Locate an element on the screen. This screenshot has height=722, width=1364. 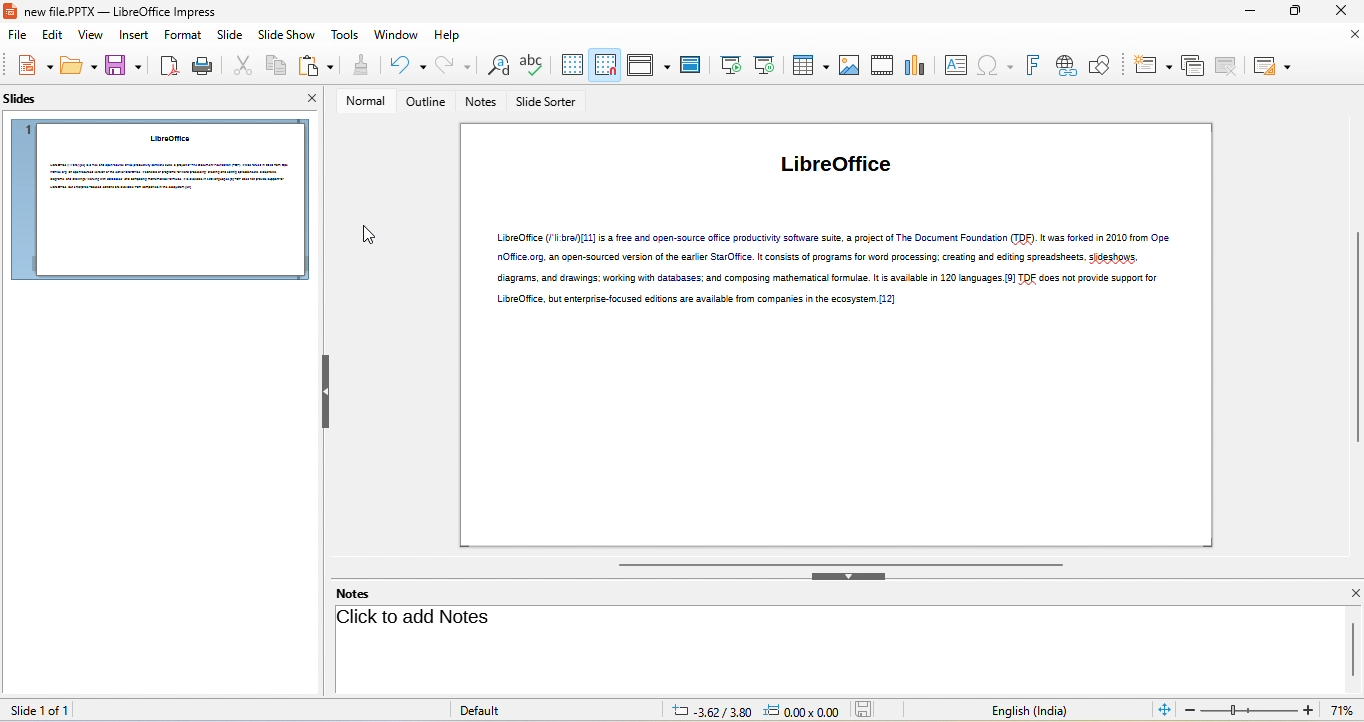
file is located at coordinates (14, 35).